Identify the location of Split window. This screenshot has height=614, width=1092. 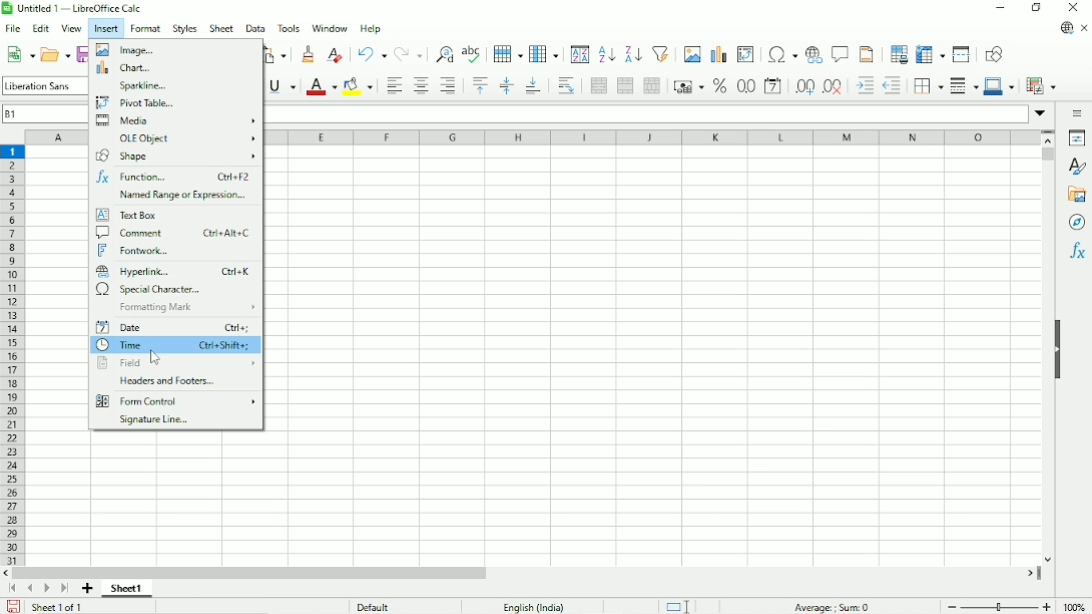
(962, 54).